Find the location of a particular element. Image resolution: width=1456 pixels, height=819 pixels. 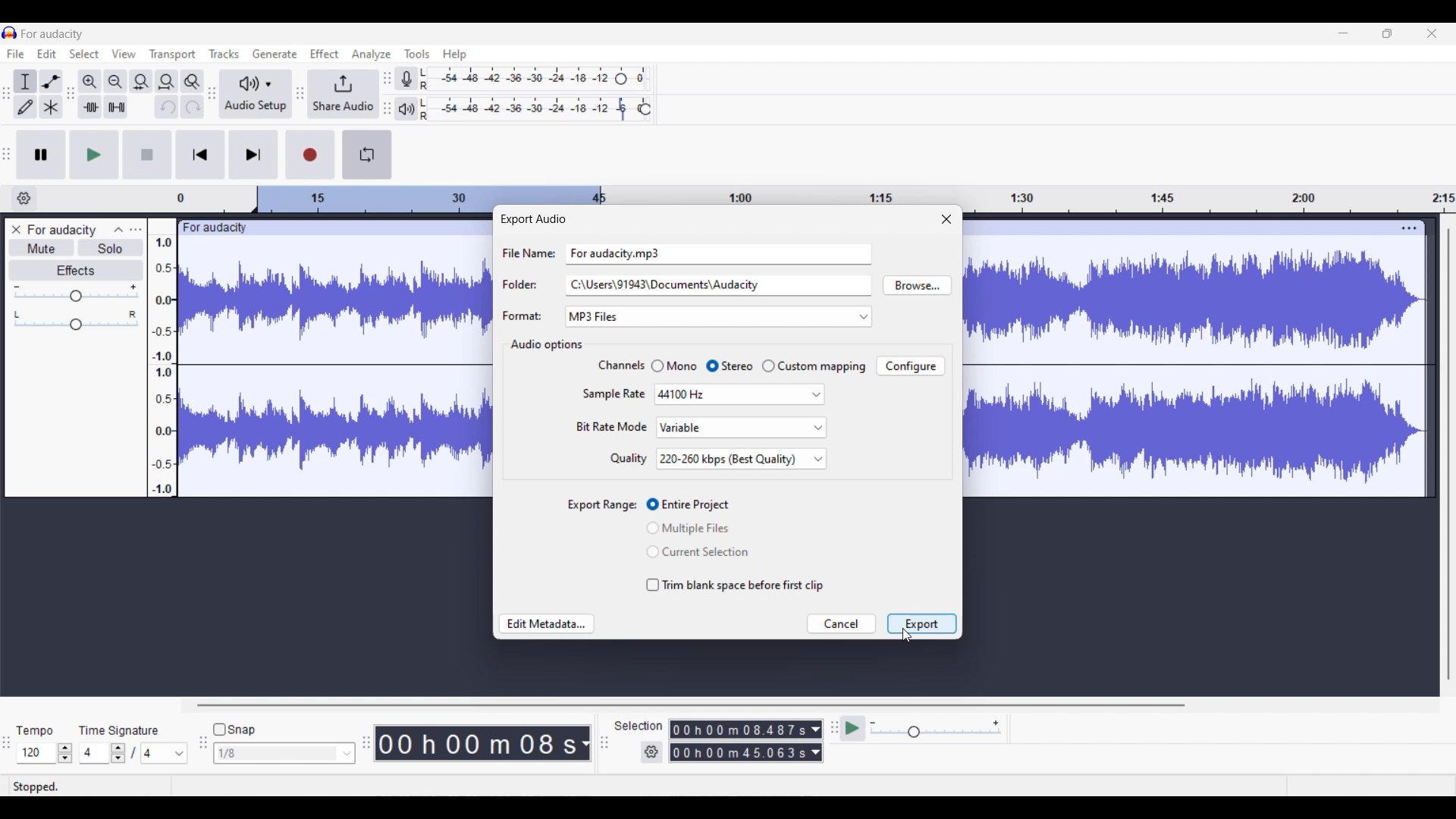

Current selection is located at coordinates (681, 428).